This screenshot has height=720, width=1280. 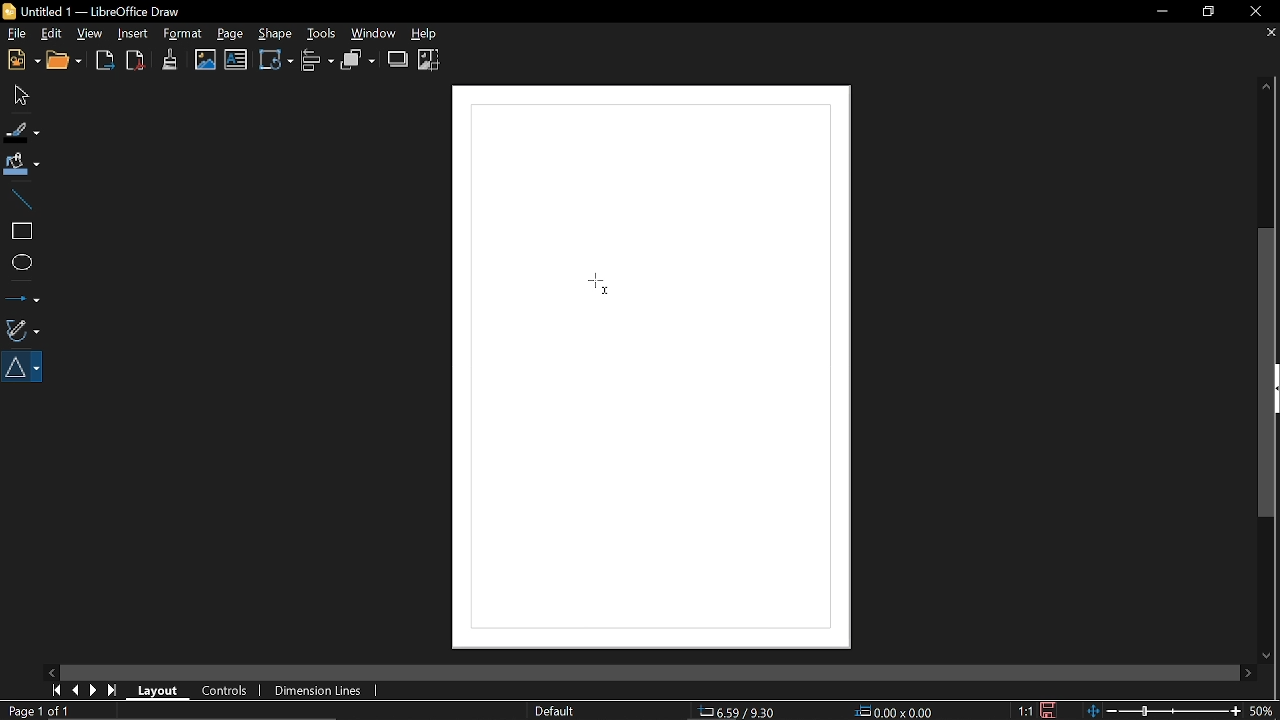 What do you see at coordinates (1263, 710) in the screenshot?
I see `Zoom` at bounding box center [1263, 710].